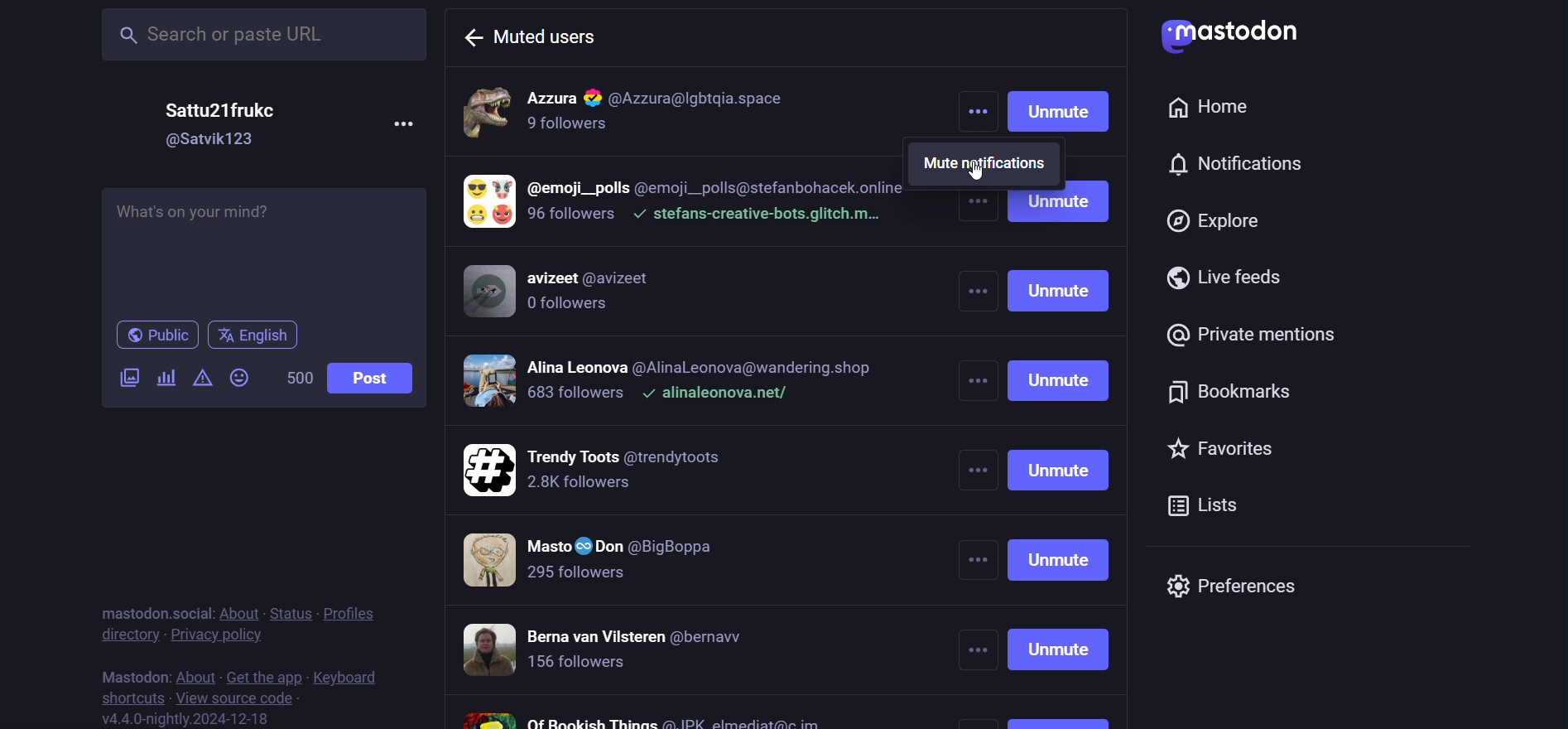  What do you see at coordinates (602, 466) in the screenshot?
I see `muter users 5` at bounding box center [602, 466].